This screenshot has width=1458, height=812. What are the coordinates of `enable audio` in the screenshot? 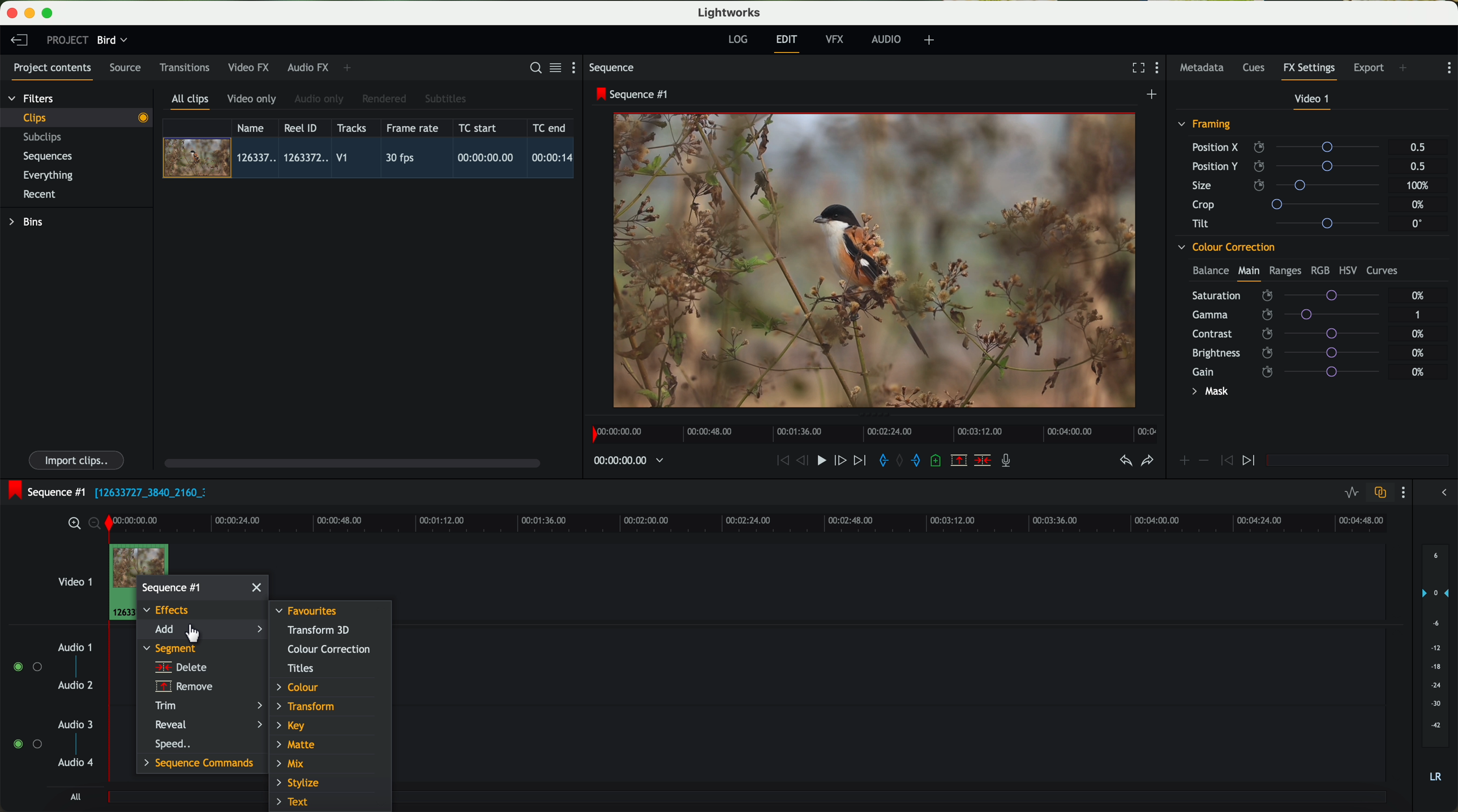 It's located at (27, 744).